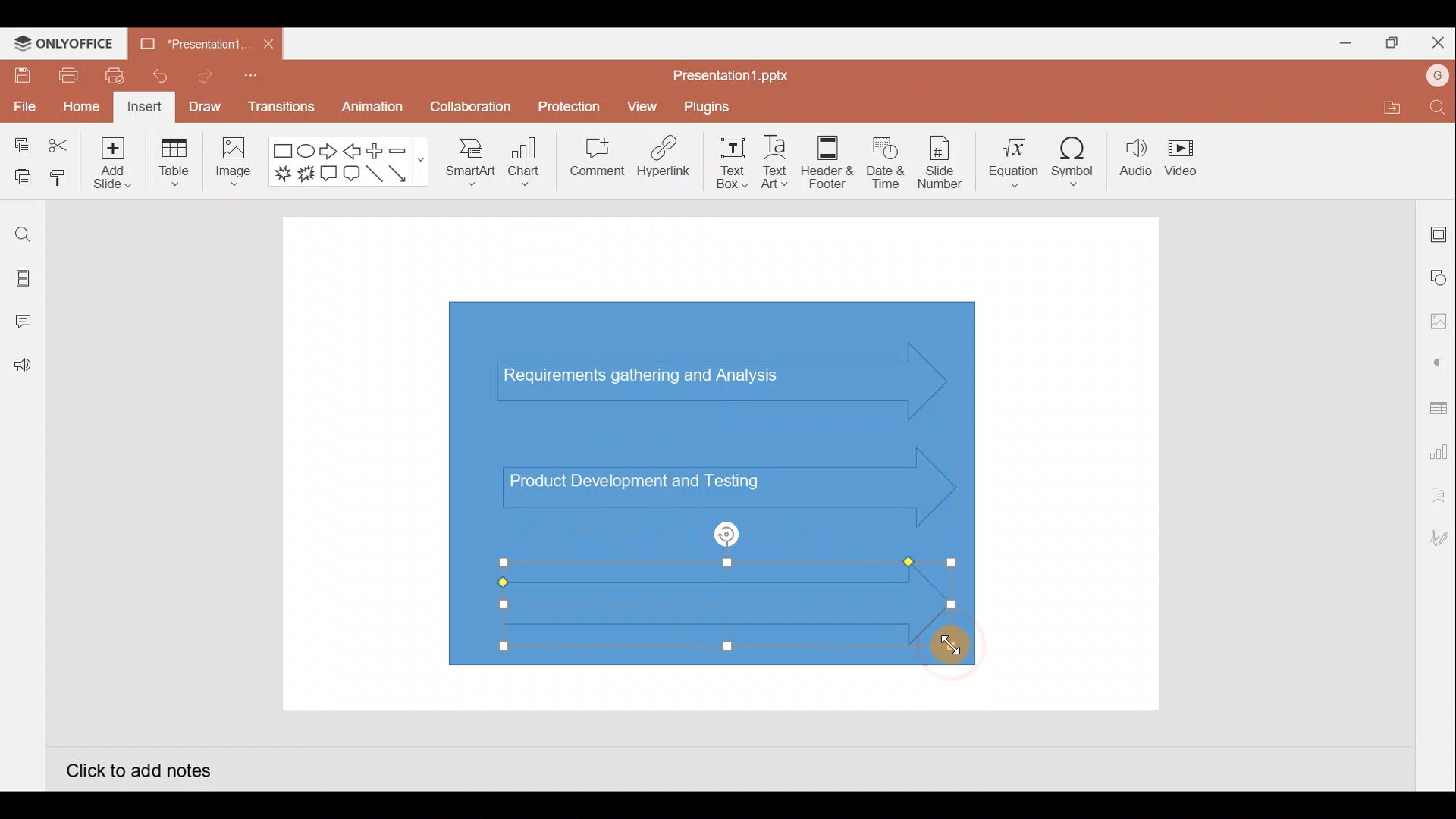 The height and width of the screenshot is (819, 1456). I want to click on Explosion 1, so click(283, 173).